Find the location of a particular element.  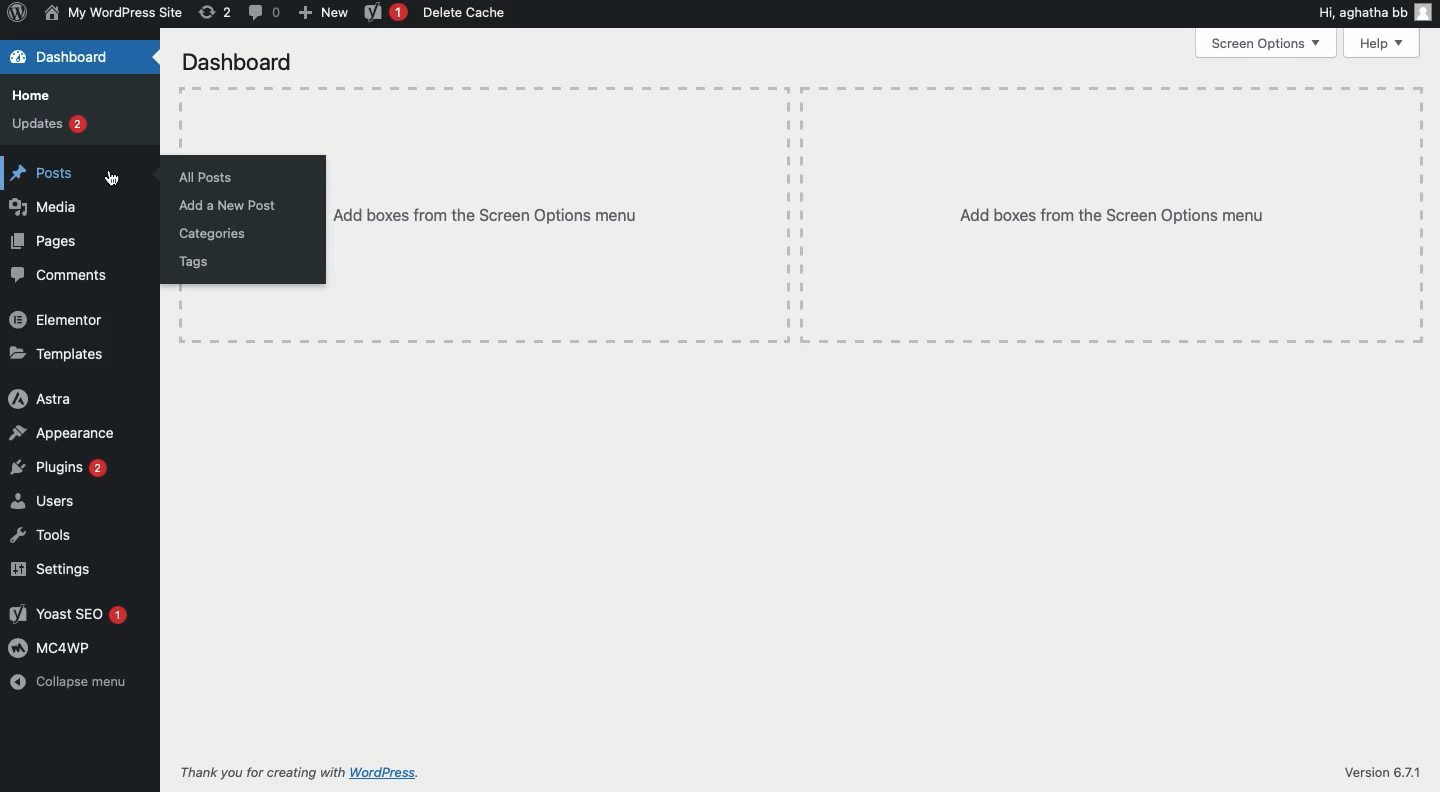

Thank you for creating with WordPress is located at coordinates (298, 771).